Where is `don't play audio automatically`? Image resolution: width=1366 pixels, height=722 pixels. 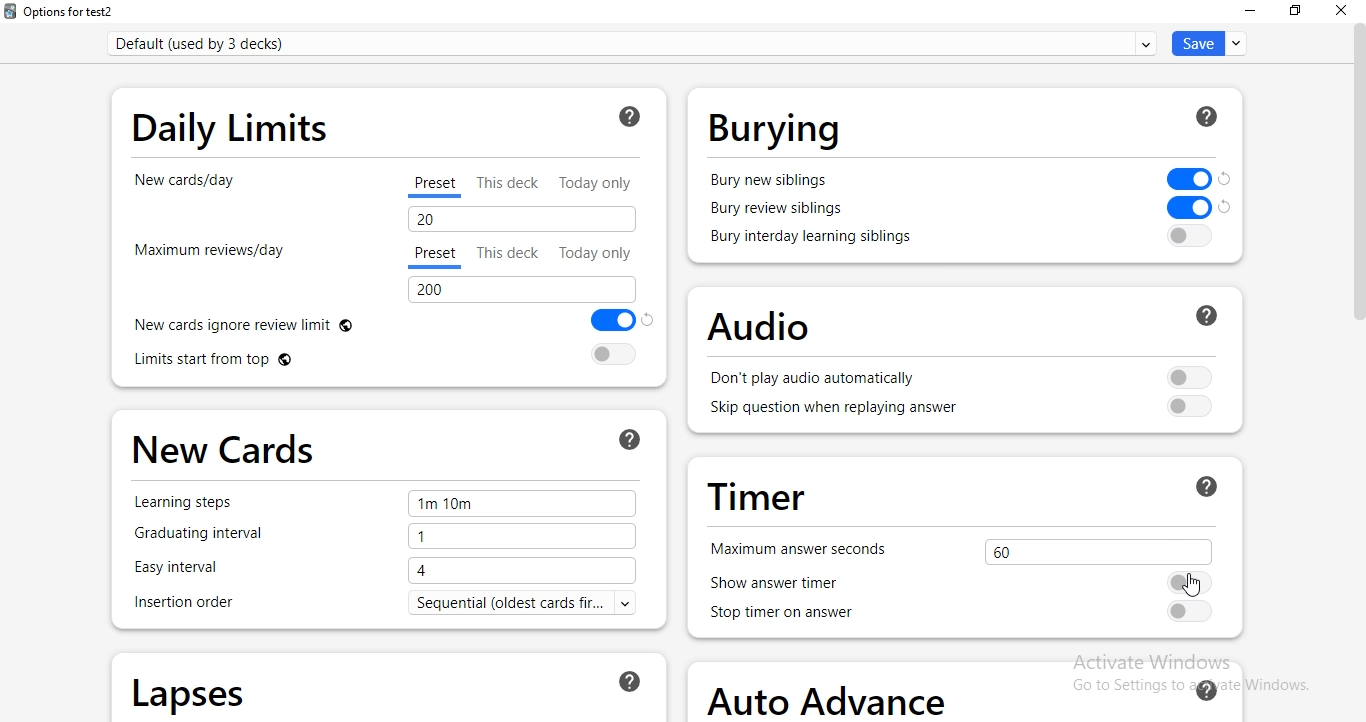
don't play audio automatically is located at coordinates (966, 378).